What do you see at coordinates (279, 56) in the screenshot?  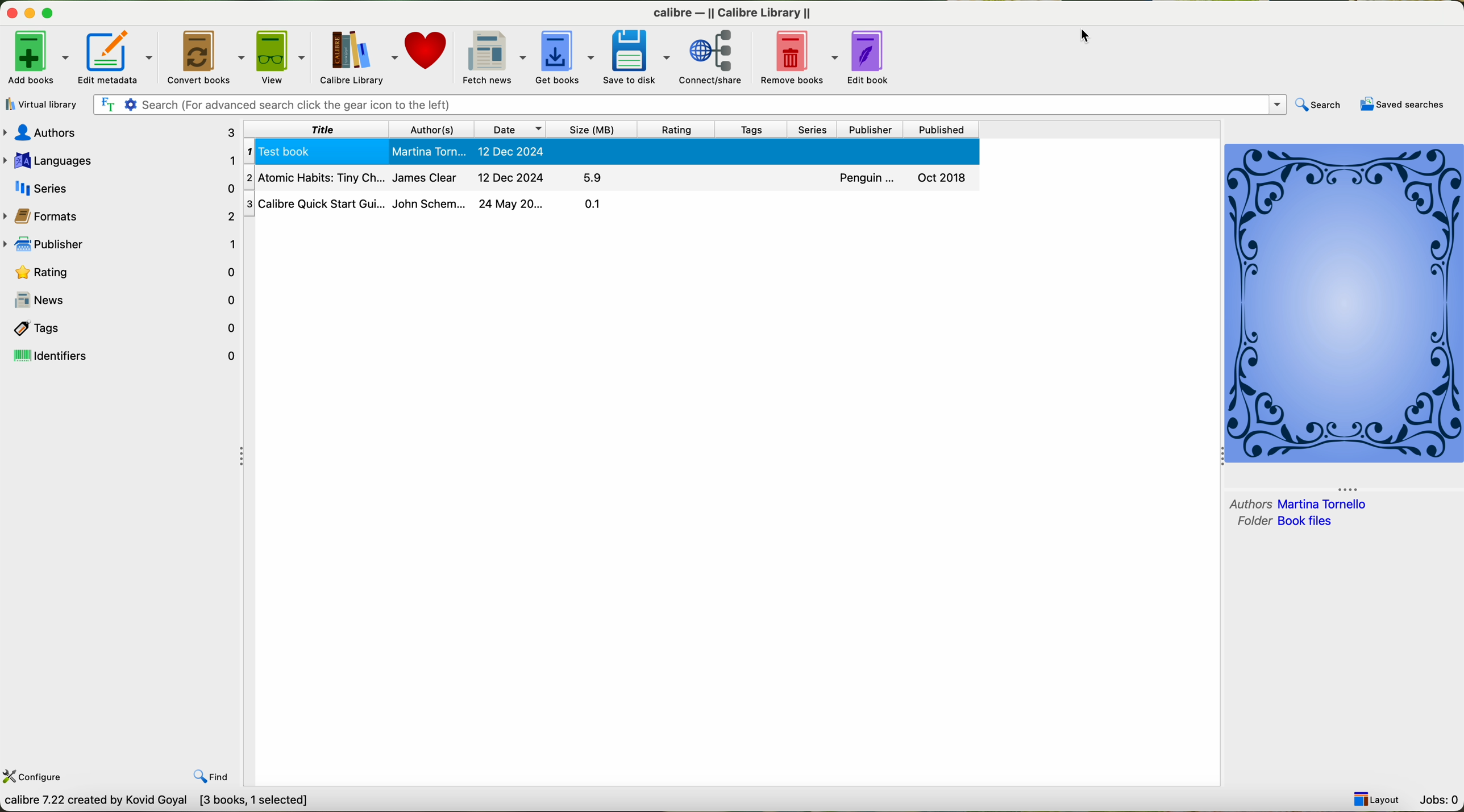 I see `view` at bounding box center [279, 56].